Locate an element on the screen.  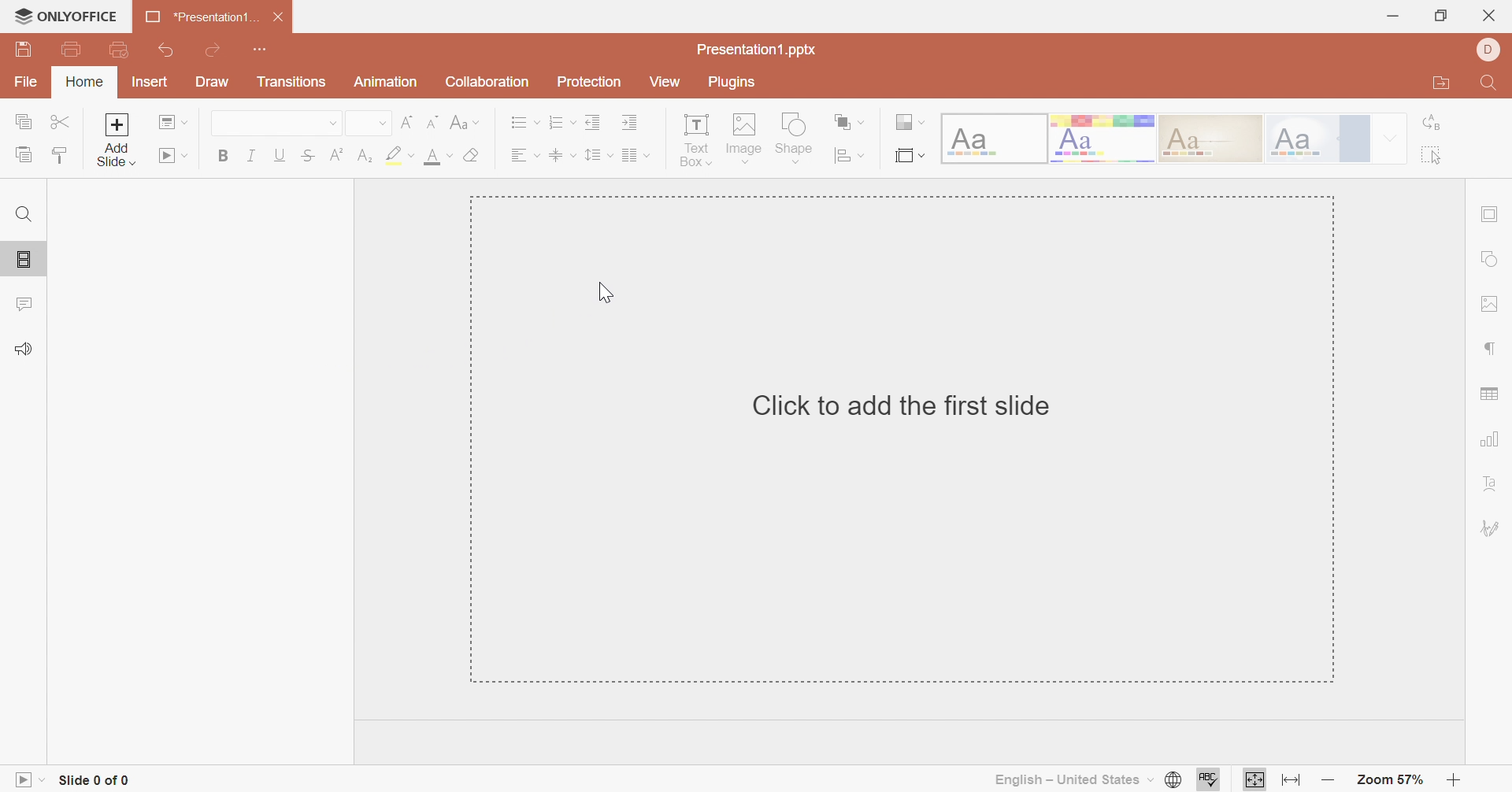
Replace is located at coordinates (1429, 124).